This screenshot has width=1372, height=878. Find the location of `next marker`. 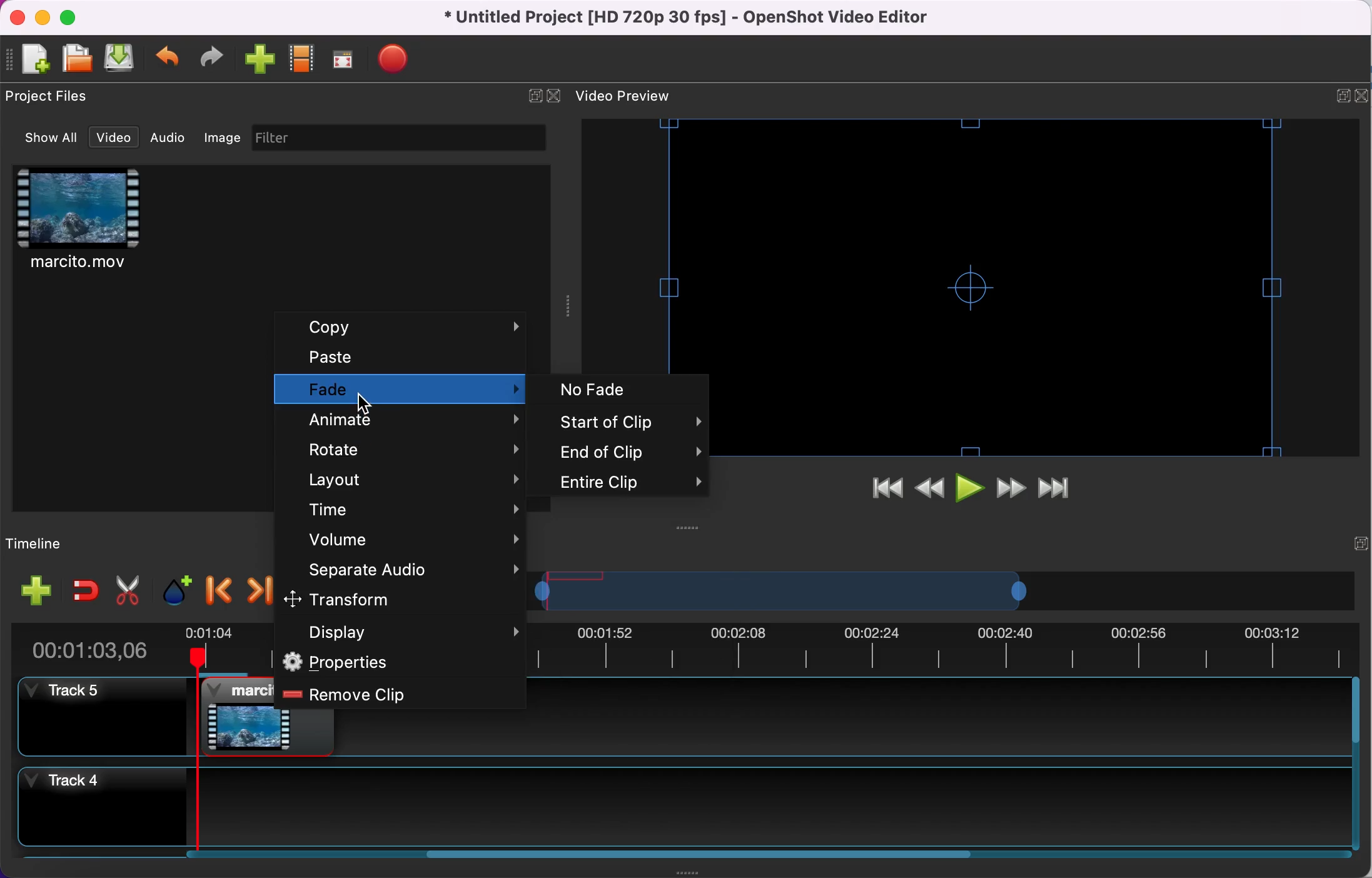

next marker is located at coordinates (259, 591).